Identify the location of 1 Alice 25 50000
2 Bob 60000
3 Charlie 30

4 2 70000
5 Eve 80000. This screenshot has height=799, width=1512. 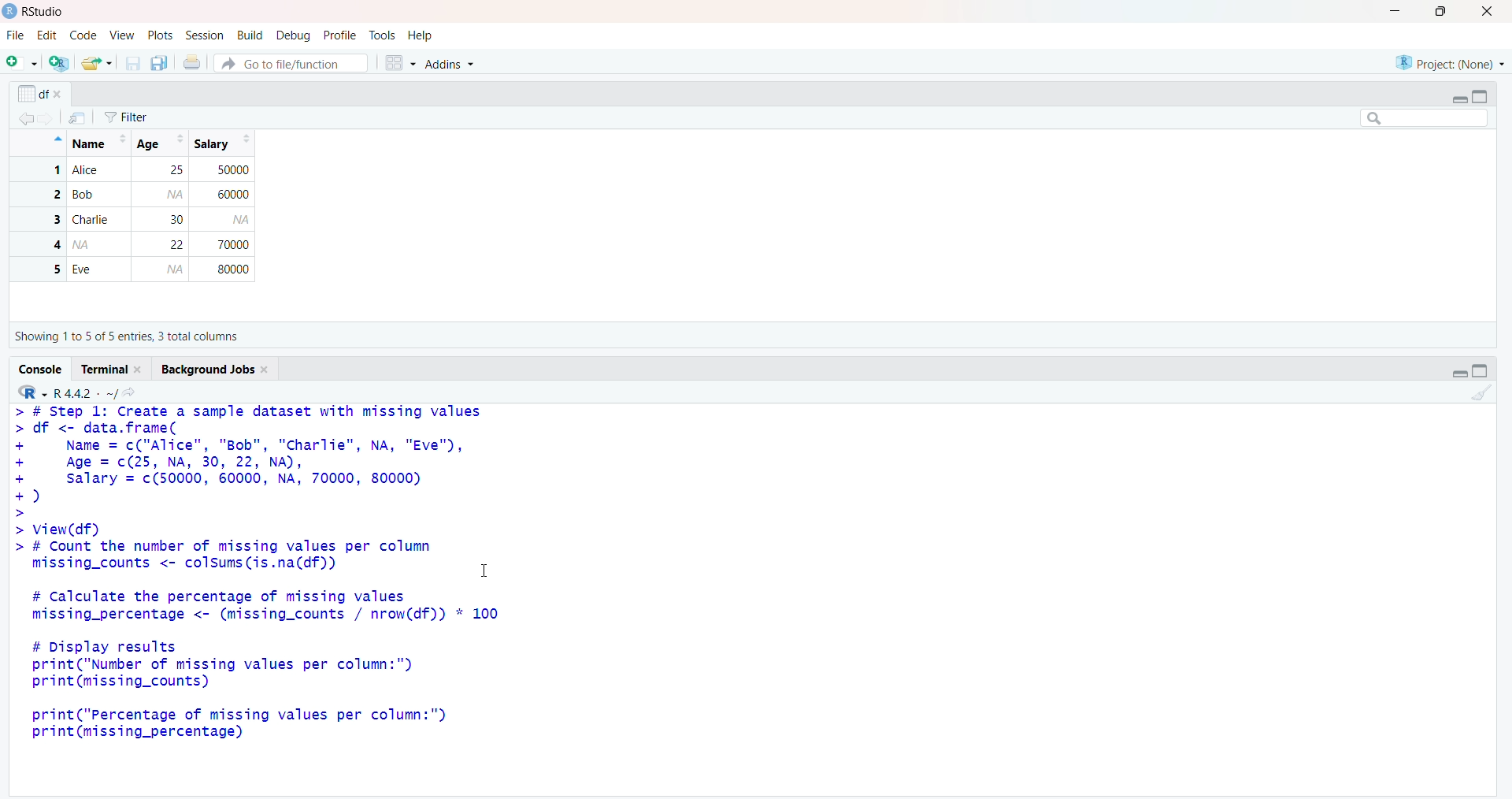
(135, 221).